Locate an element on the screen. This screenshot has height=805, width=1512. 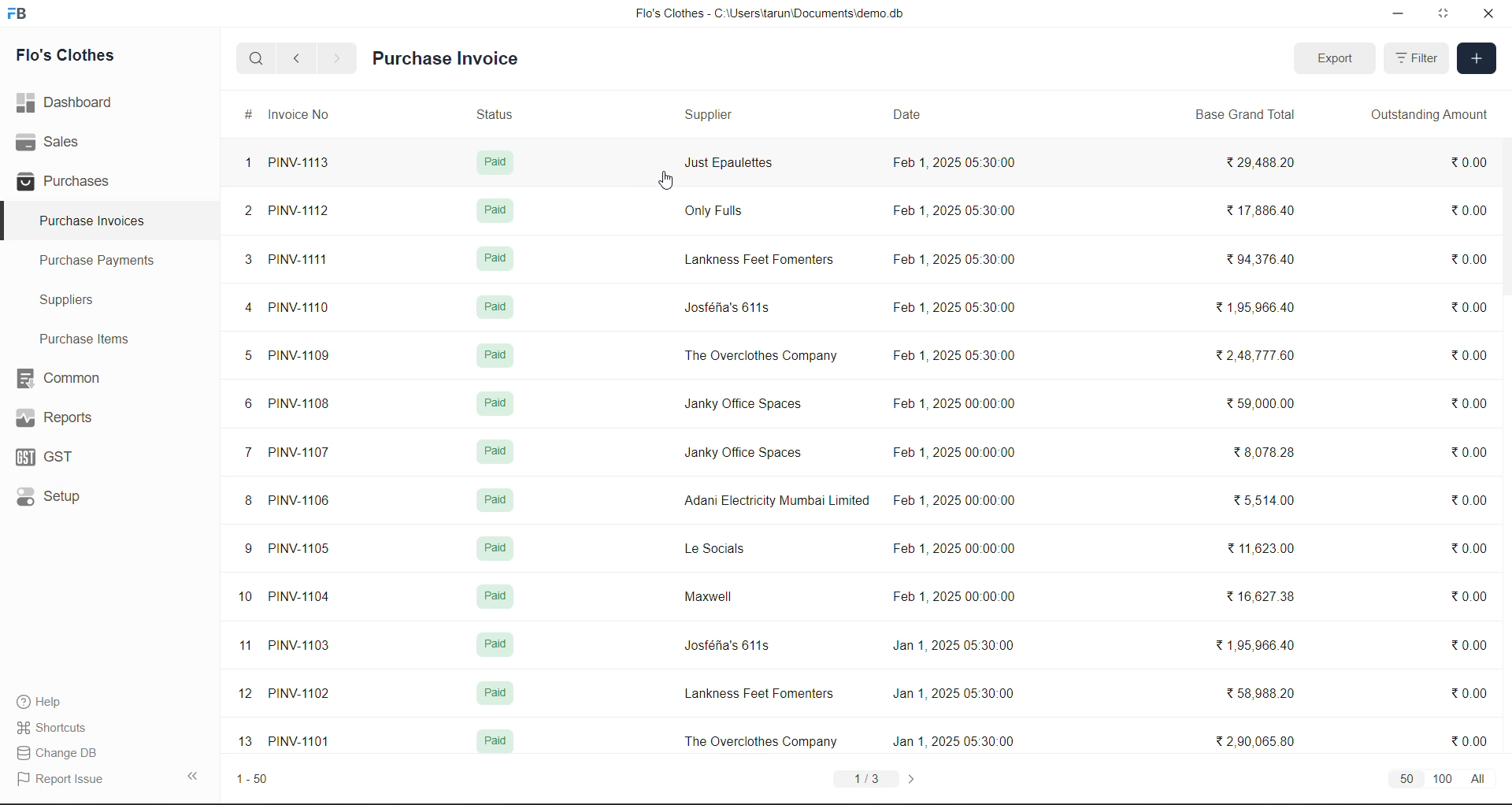
Outstanding Amount is located at coordinates (1428, 116).